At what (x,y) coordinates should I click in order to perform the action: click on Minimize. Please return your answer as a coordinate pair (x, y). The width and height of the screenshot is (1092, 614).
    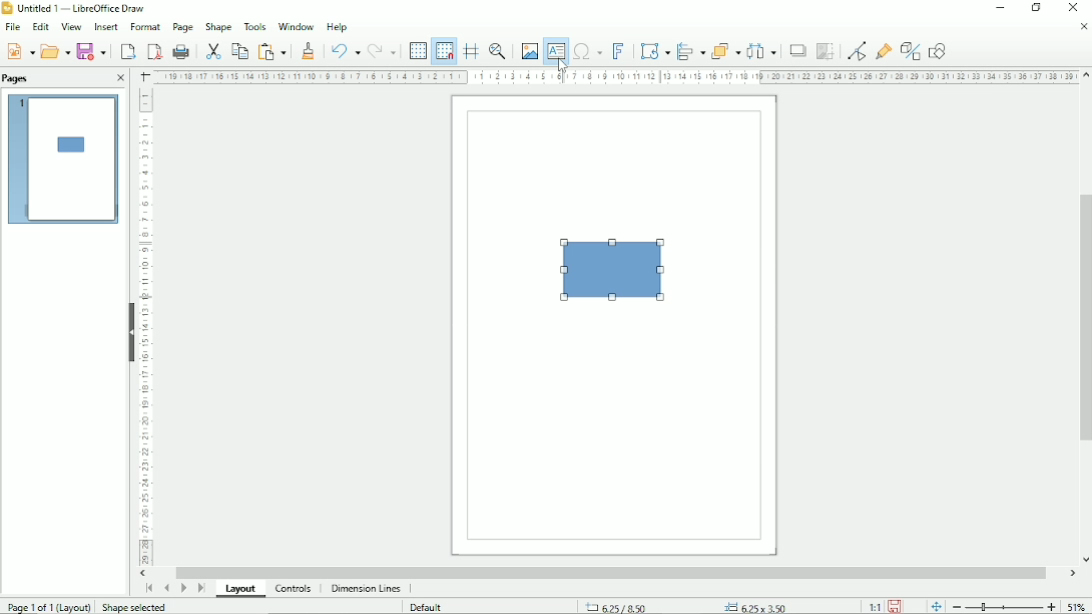
    Looking at the image, I should click on (1001, 8).